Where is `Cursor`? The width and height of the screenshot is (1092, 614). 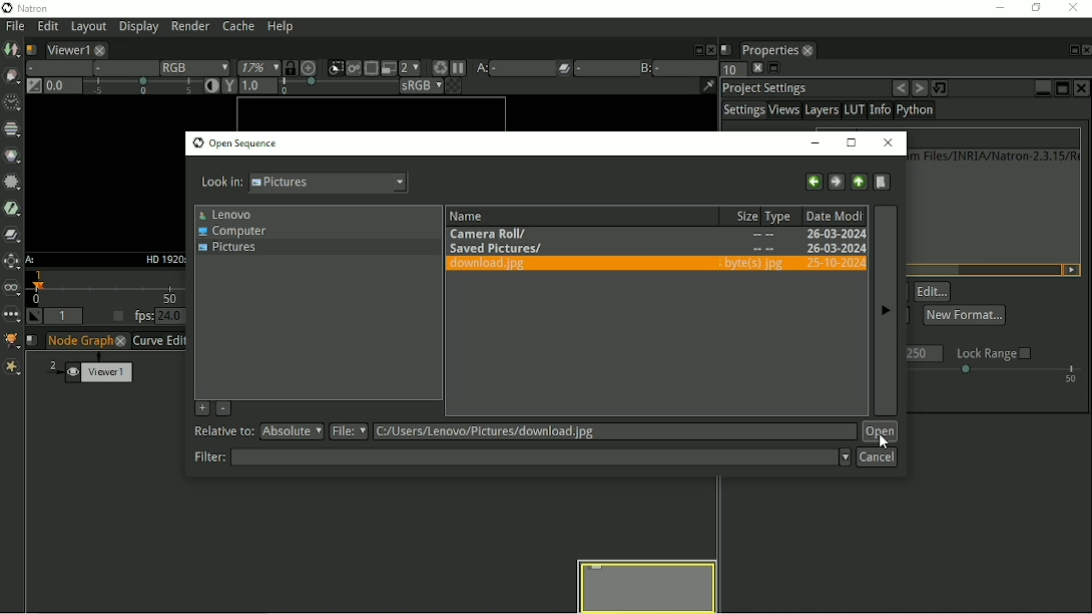
Cursor is located at coordinates (882, 441).